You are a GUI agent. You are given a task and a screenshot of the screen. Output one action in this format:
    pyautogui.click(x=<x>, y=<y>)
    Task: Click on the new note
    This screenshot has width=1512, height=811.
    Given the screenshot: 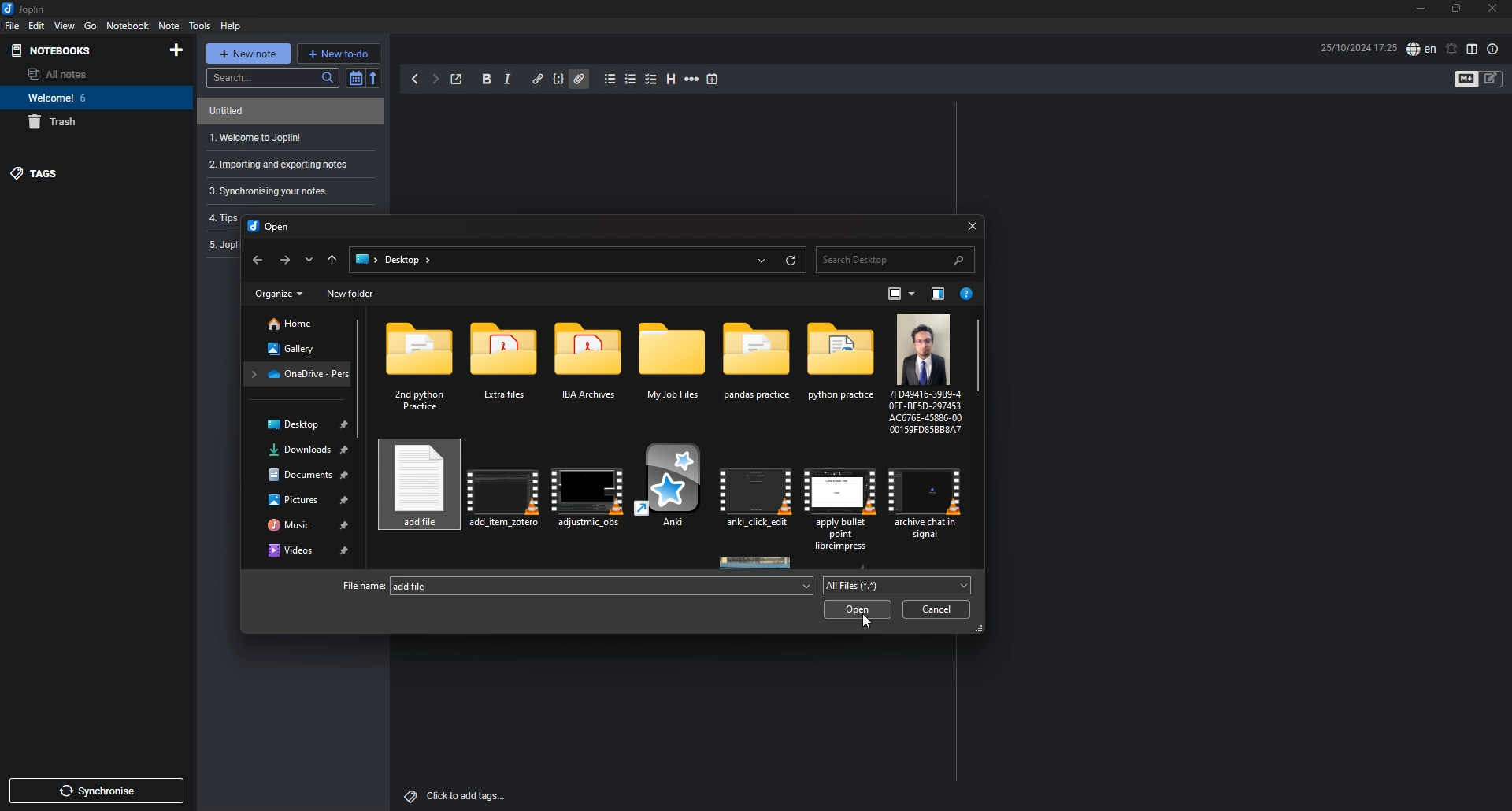 What is the action you would take?
    pyautogui.click(x=248, y=54)
    